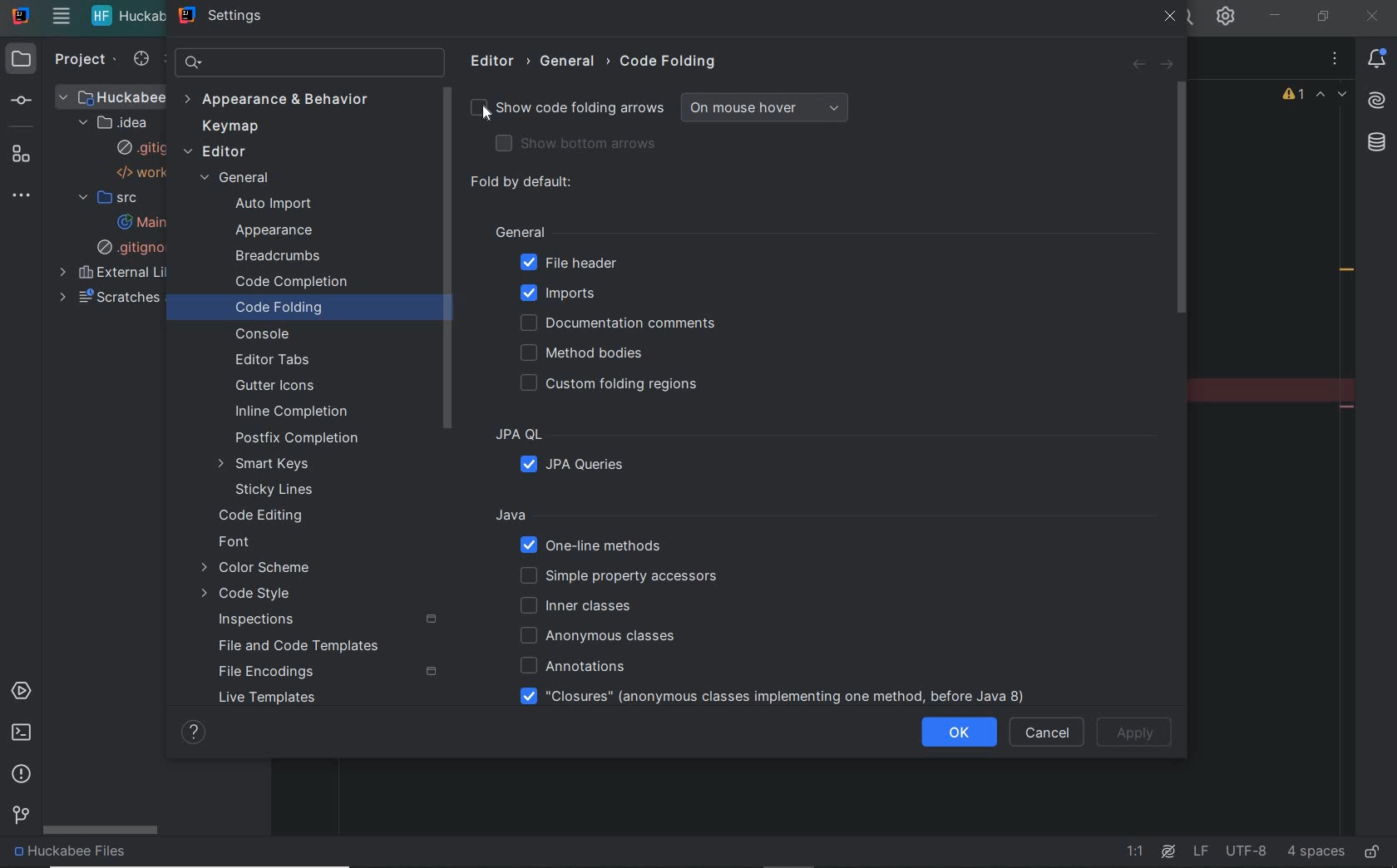  What do you see at coordinates (30, 100) in the screenshot?
I see `commit` at bounding box center [30, 100].